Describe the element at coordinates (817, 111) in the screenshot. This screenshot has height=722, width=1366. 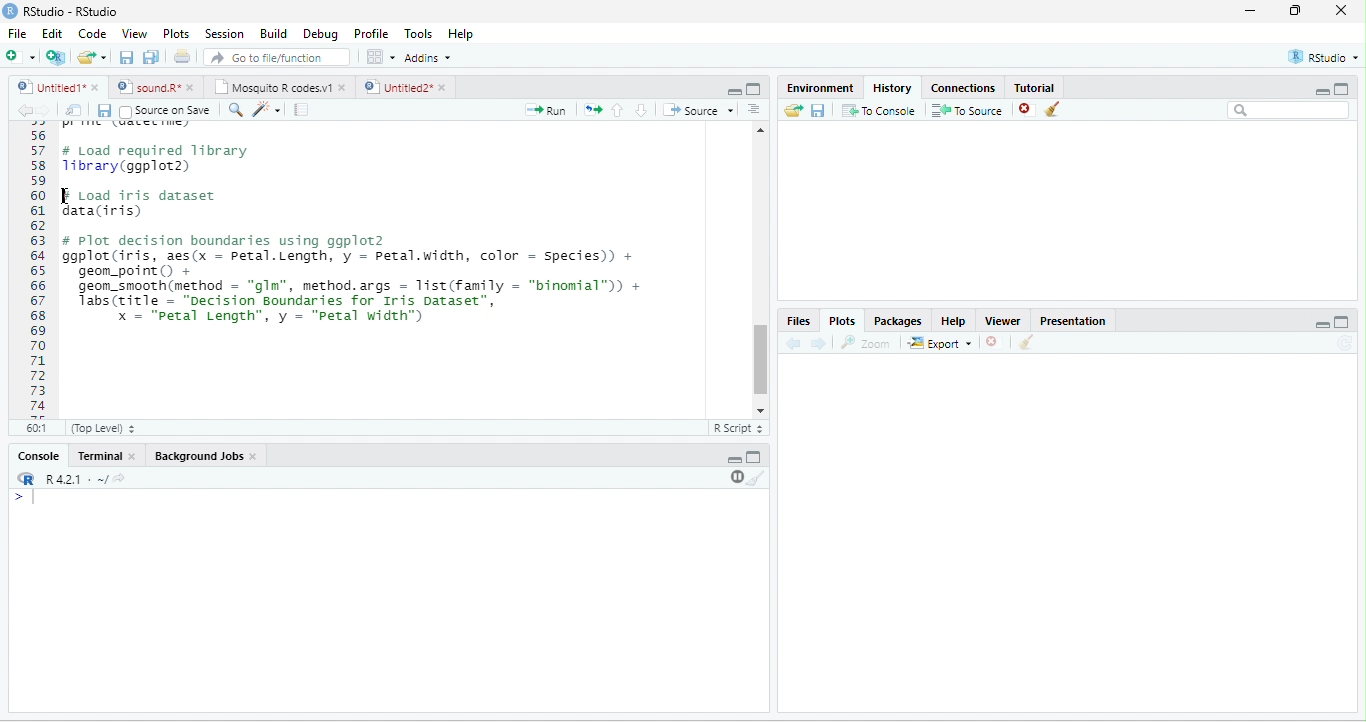
I see `save` at that location.